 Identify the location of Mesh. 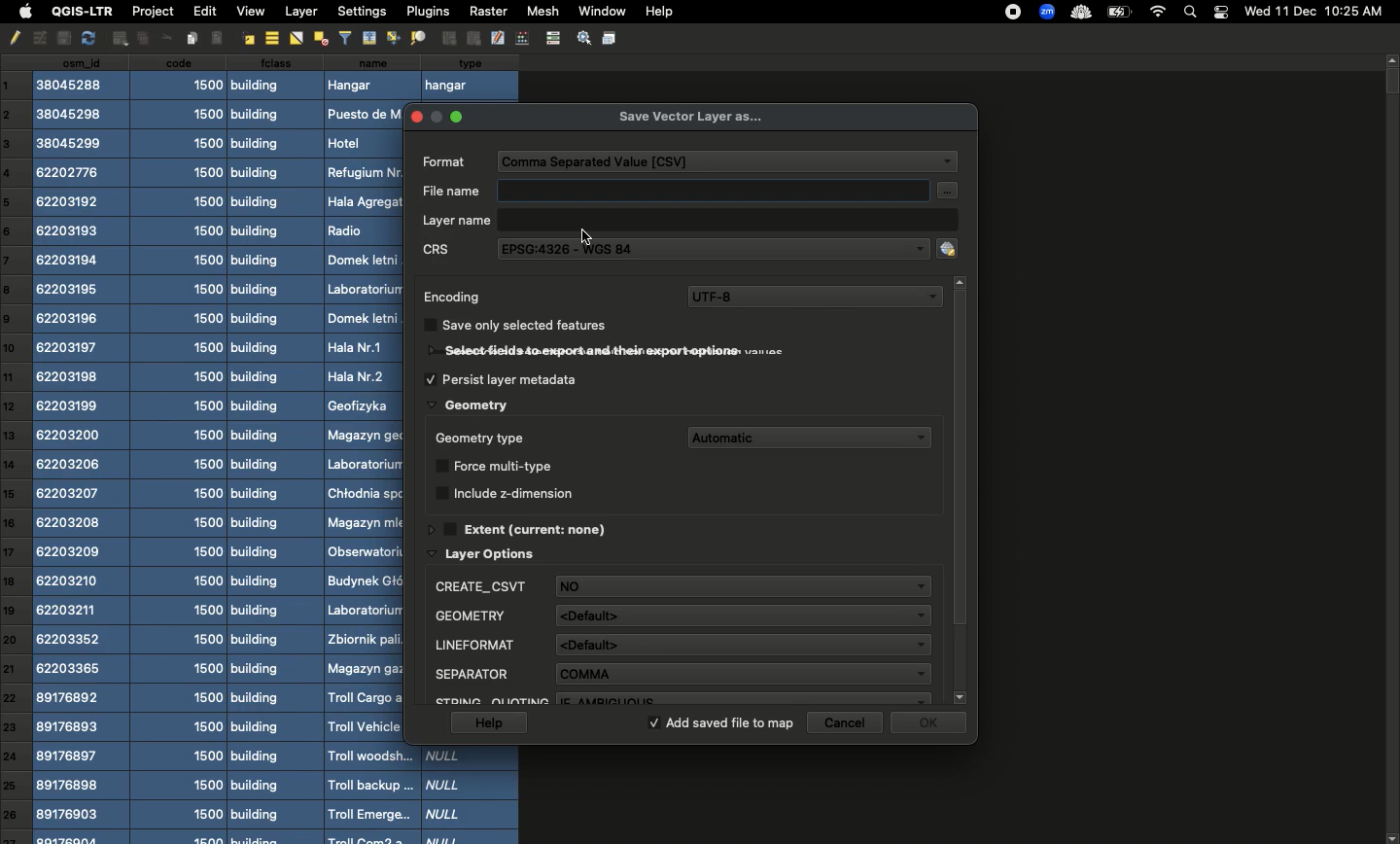
(540, 11).